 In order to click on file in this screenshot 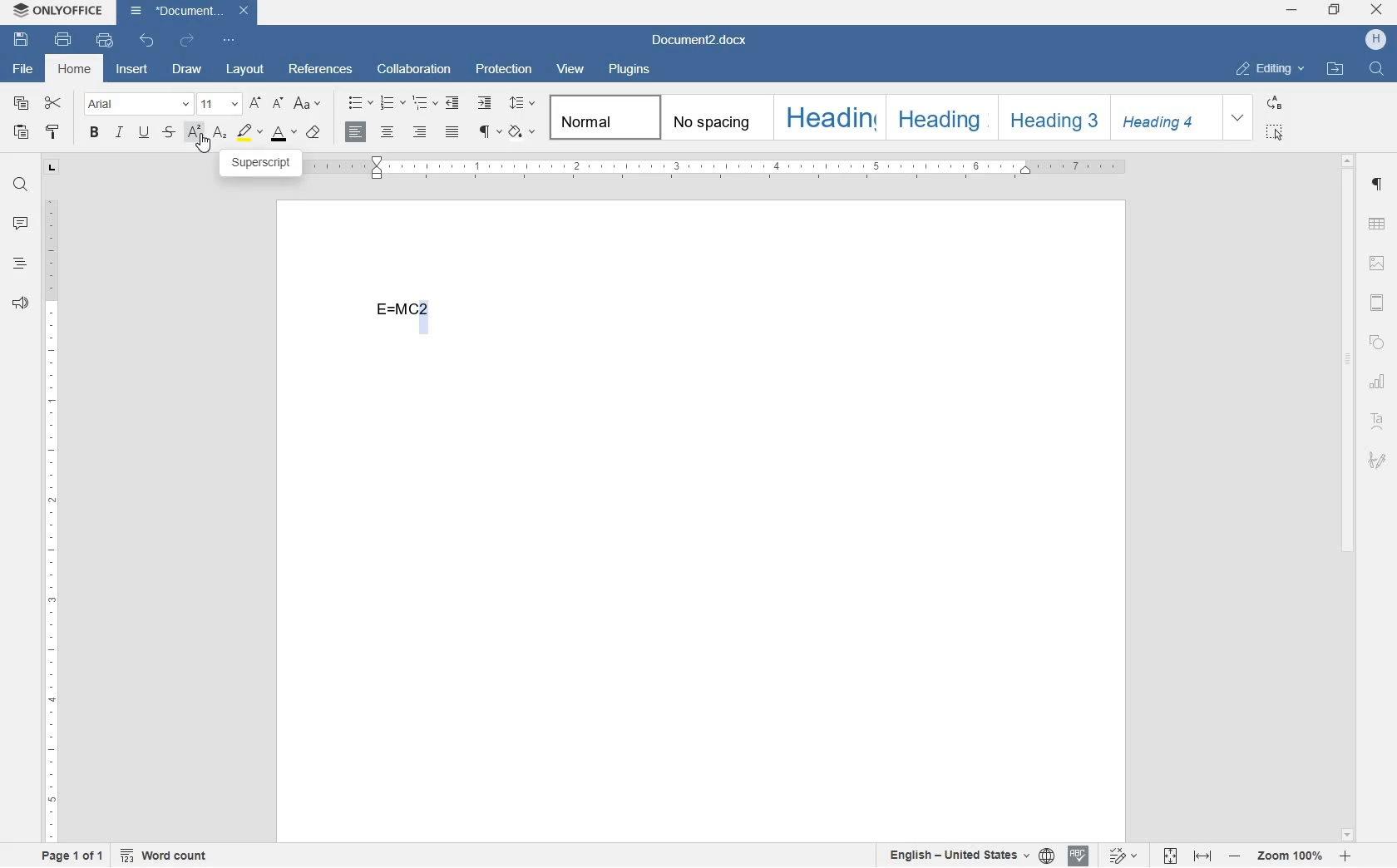, I will do `click(21, 69)`.